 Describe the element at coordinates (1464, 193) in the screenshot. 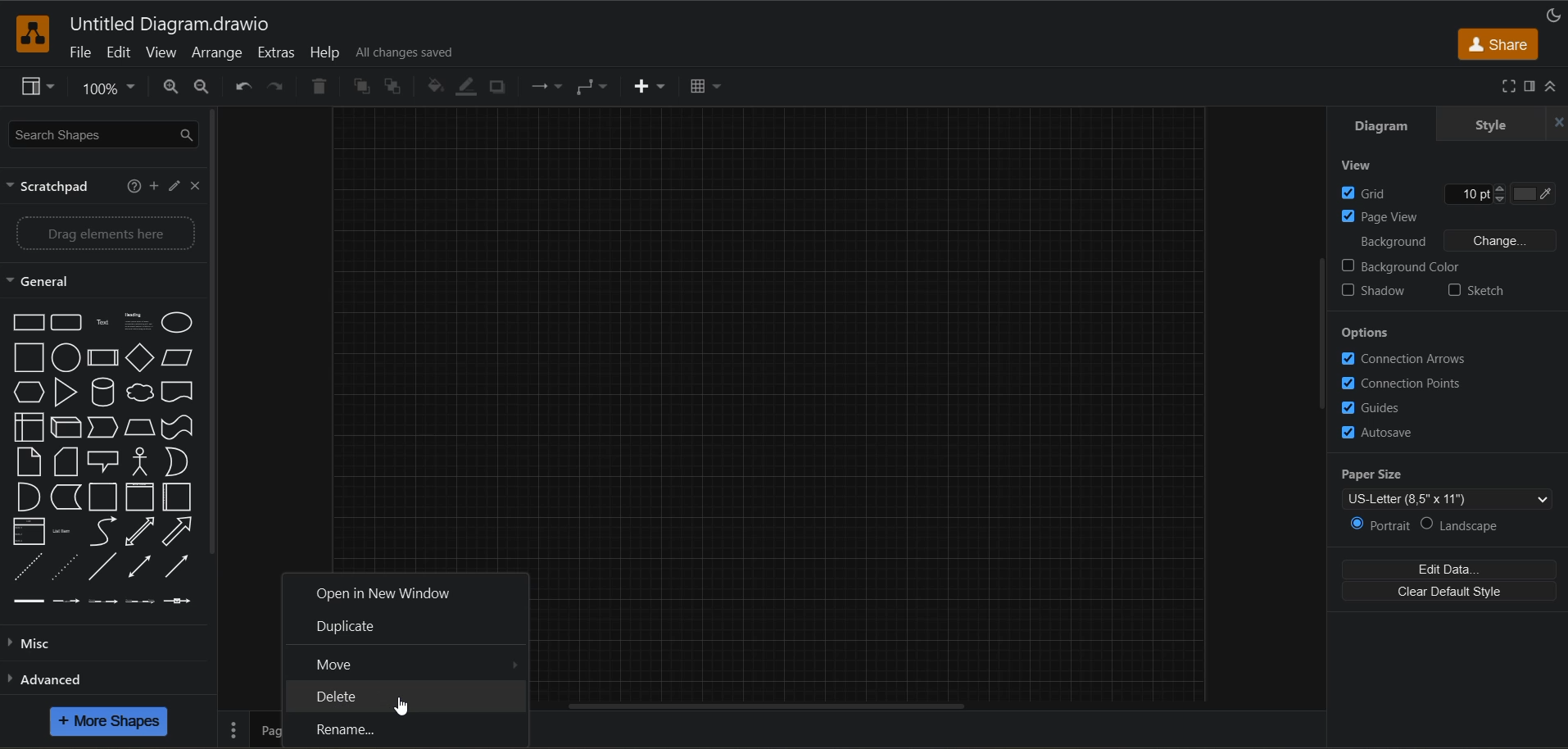

I see `Grid line size` at that location.